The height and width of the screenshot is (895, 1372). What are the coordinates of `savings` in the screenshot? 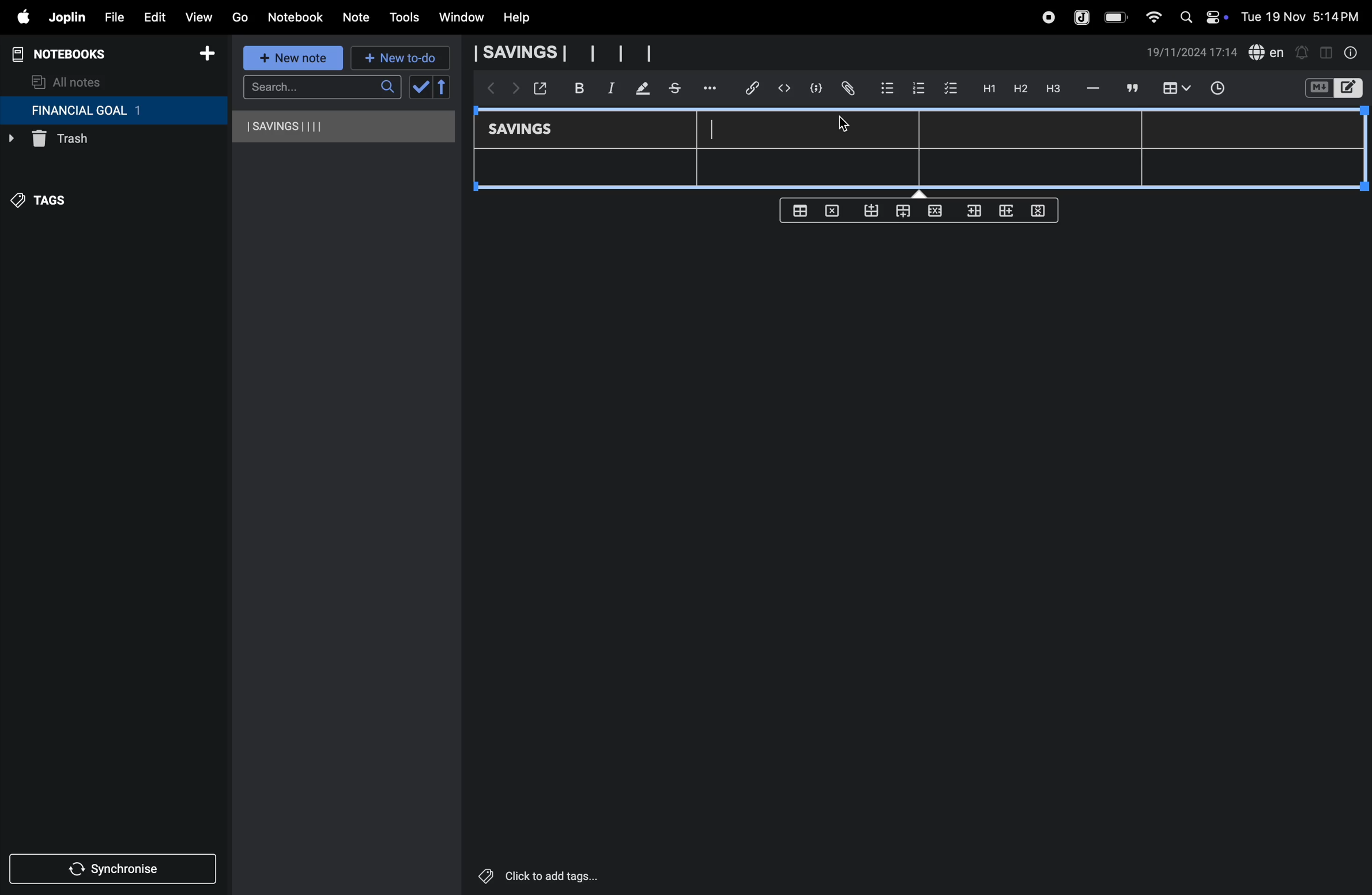 It's located at (345, 126).